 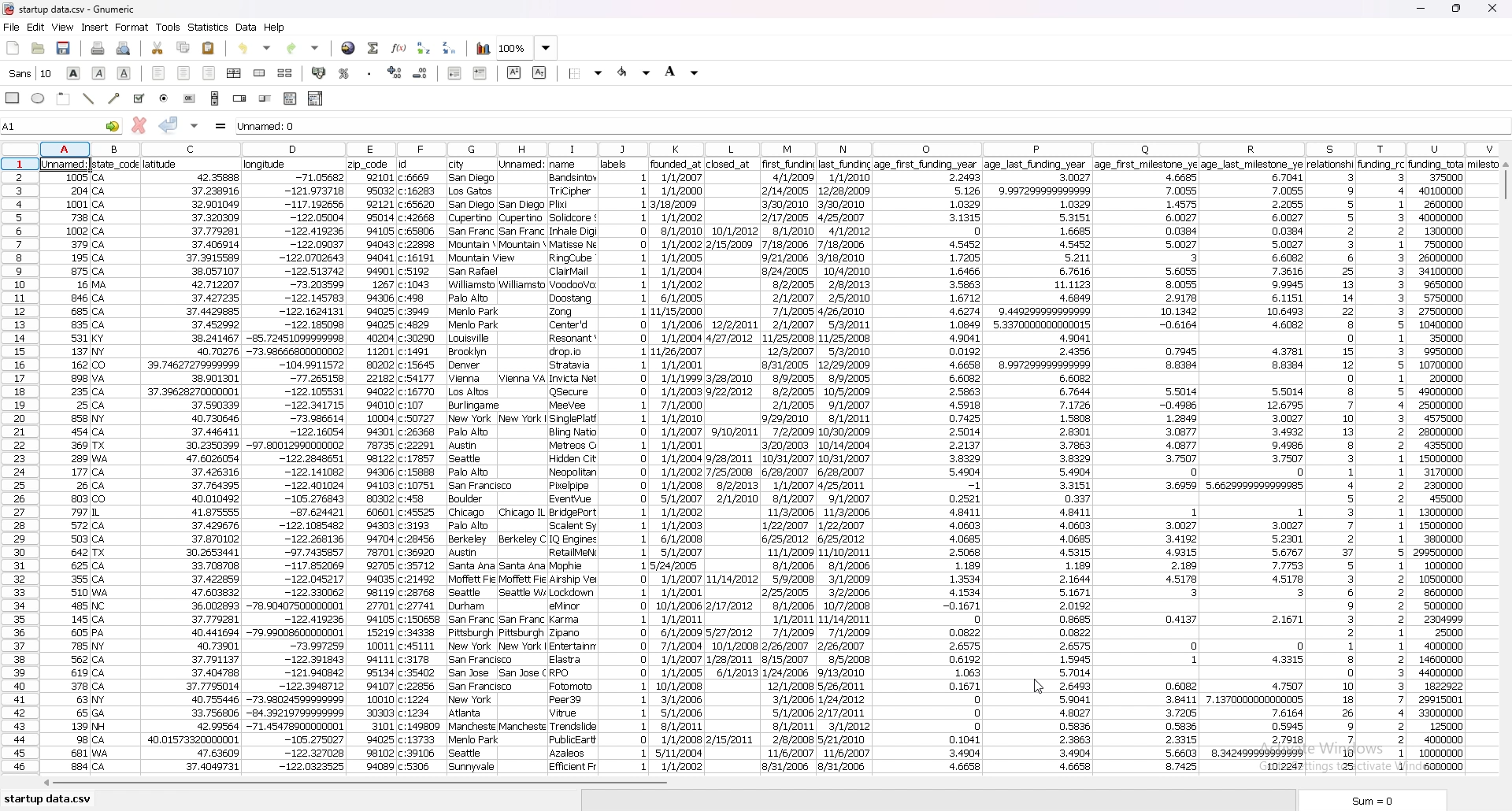 I want to click on minimize, so click(x=1421, y=9).